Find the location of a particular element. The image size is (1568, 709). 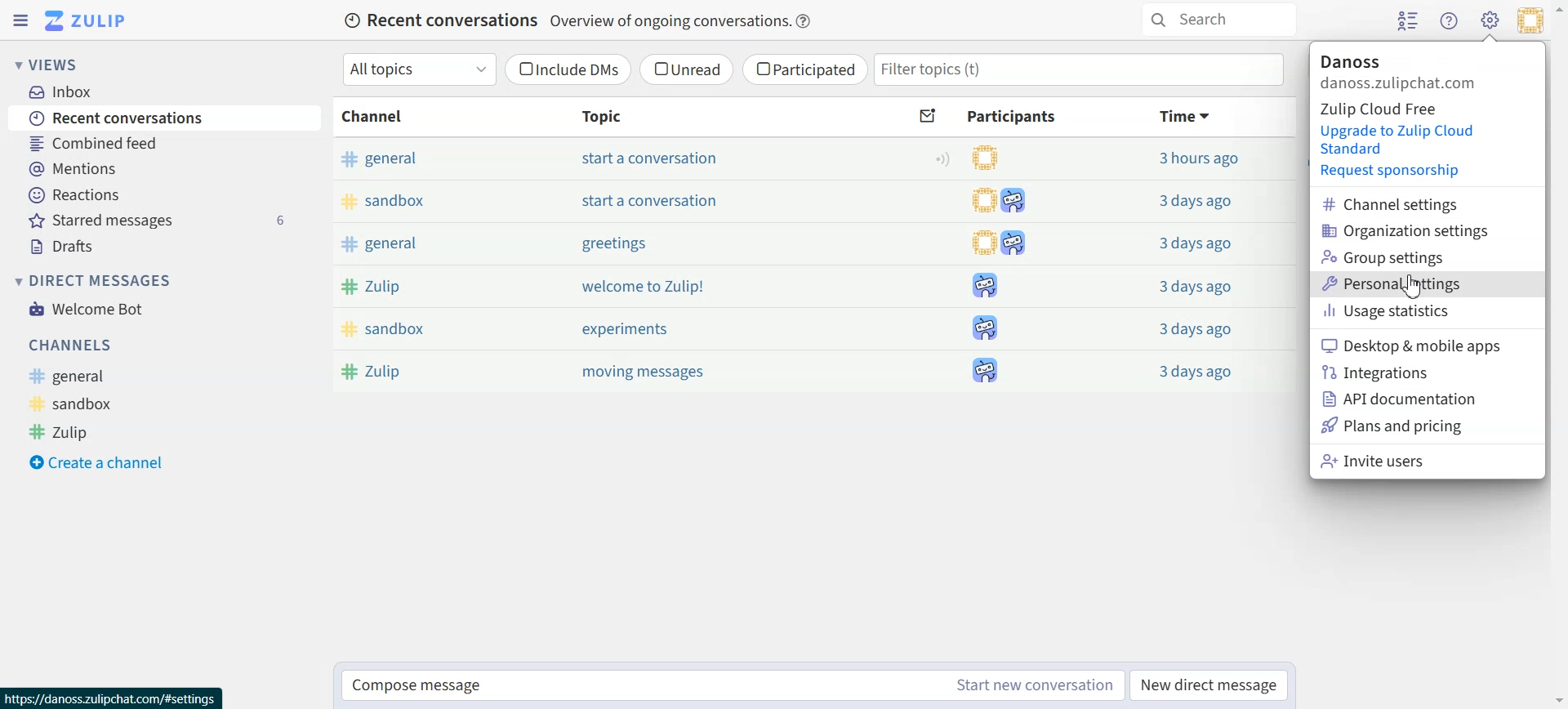

Channels is located at coordinates (69, 346).